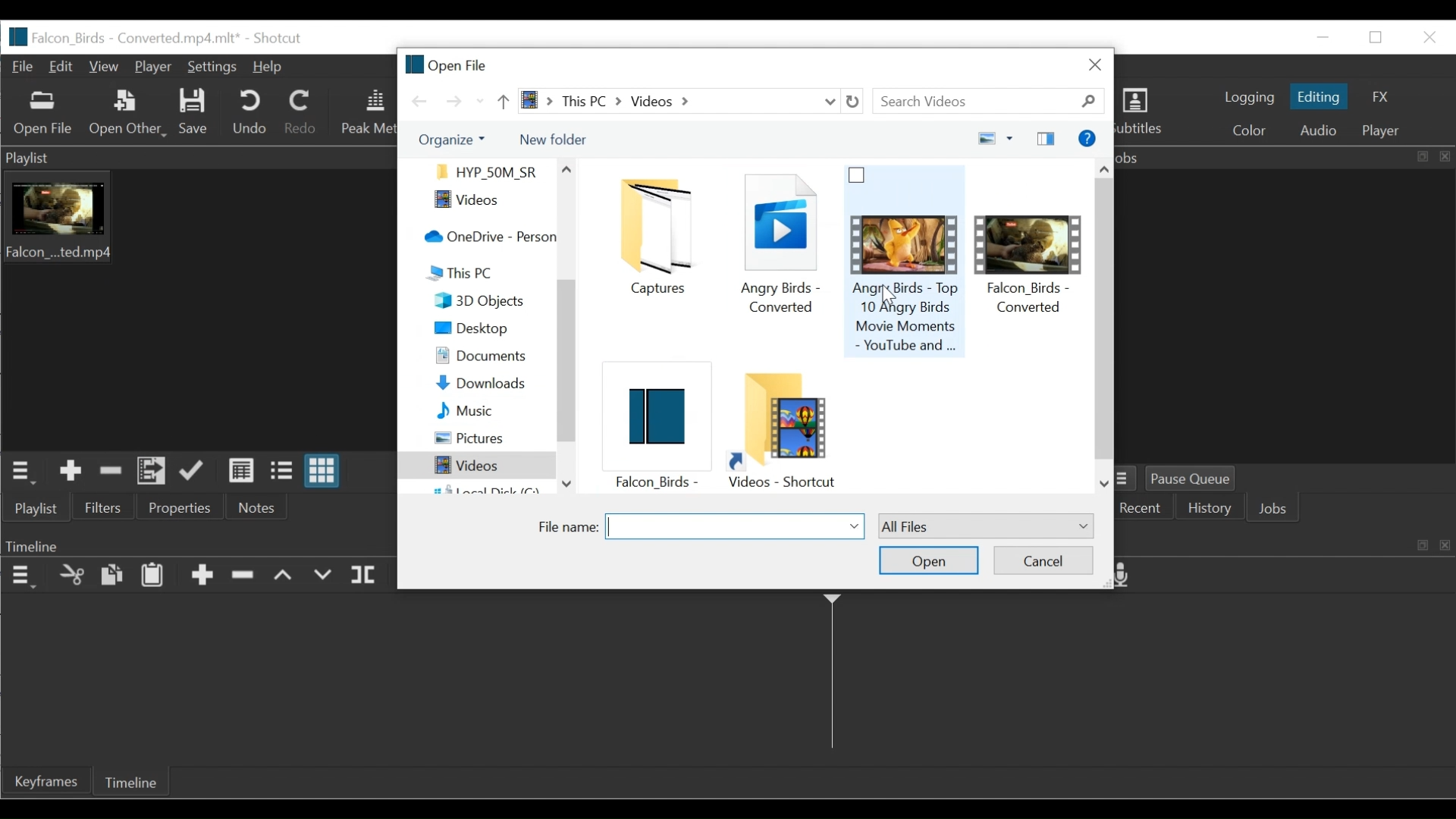 The image size is (1456, 819). Describe the element at coordinates (108, 472) in the screenshot. I see `Remove cut` at that location.